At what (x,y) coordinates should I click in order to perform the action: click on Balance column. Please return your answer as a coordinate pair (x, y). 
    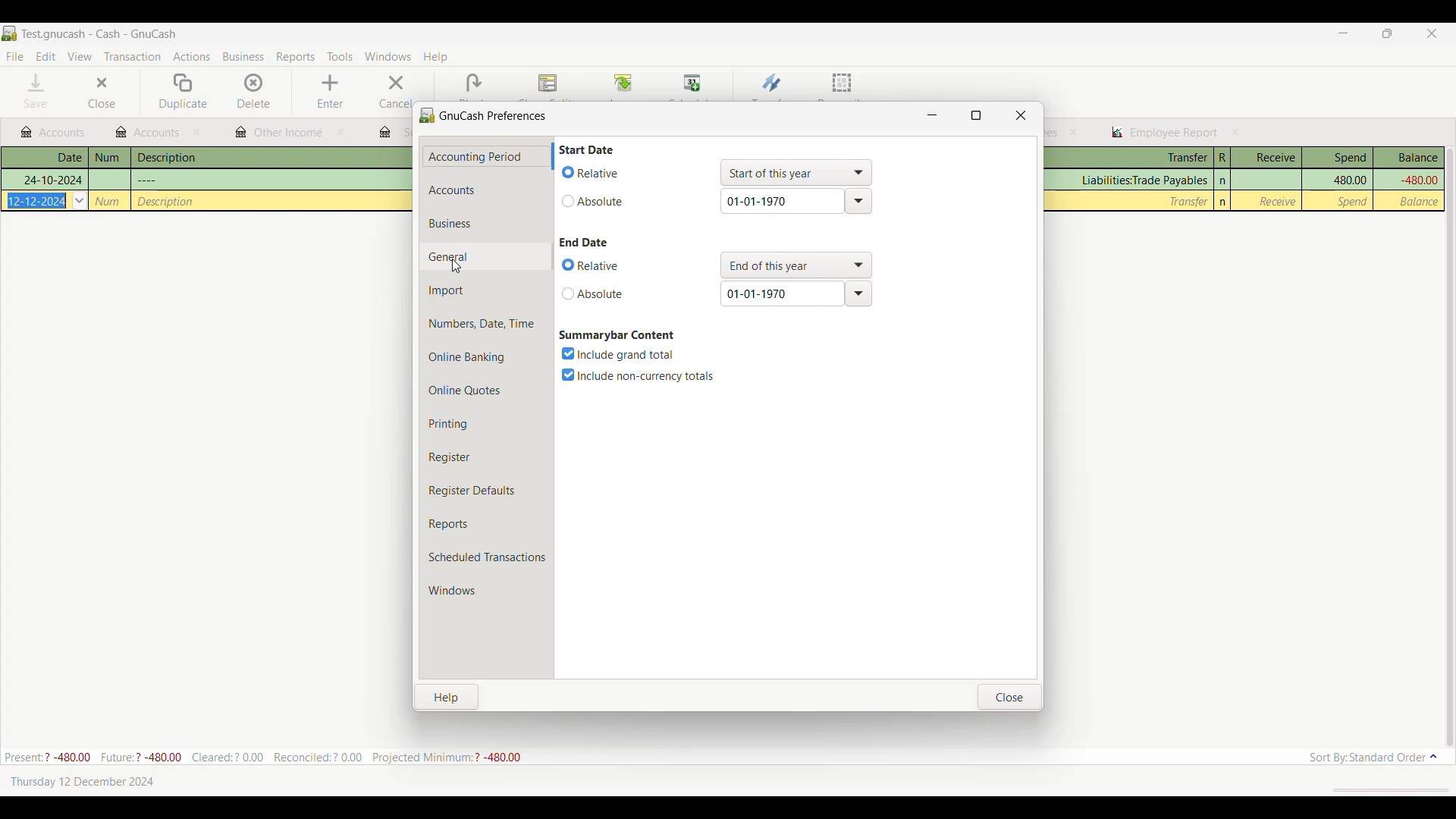
    Looking at the image, I should click on (1417, 180).